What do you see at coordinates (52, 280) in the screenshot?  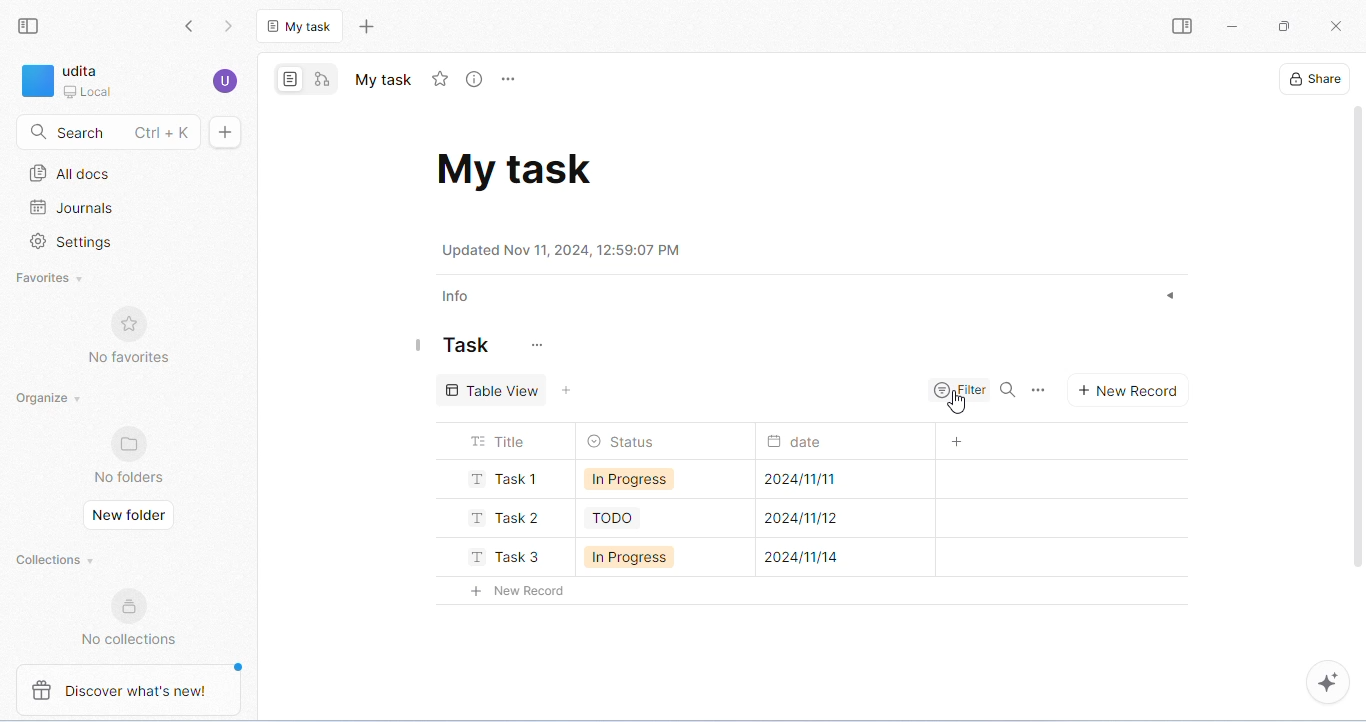 I see `favorites` at bounding box center [52, 280].